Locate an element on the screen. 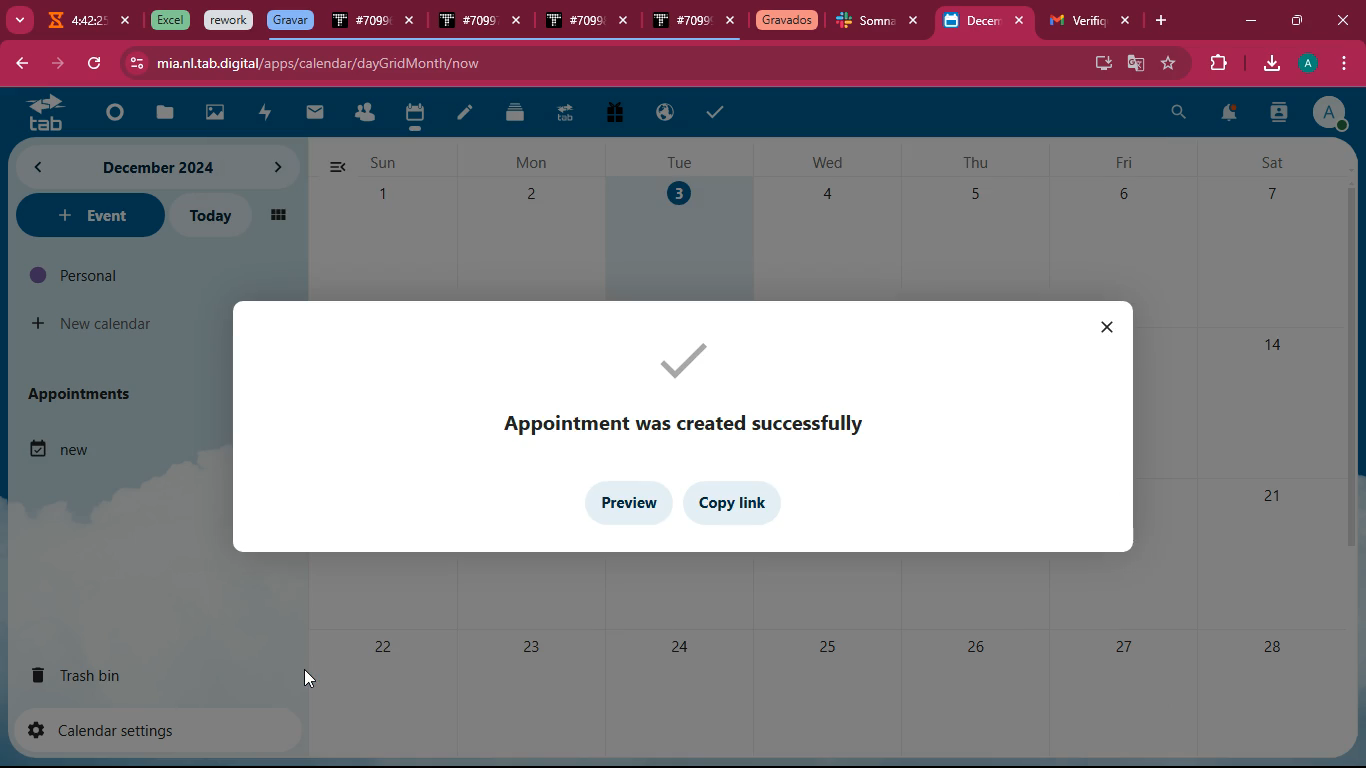 The width and height of the screenshot is (1366, 768). files is located at coordinates (517, 112).